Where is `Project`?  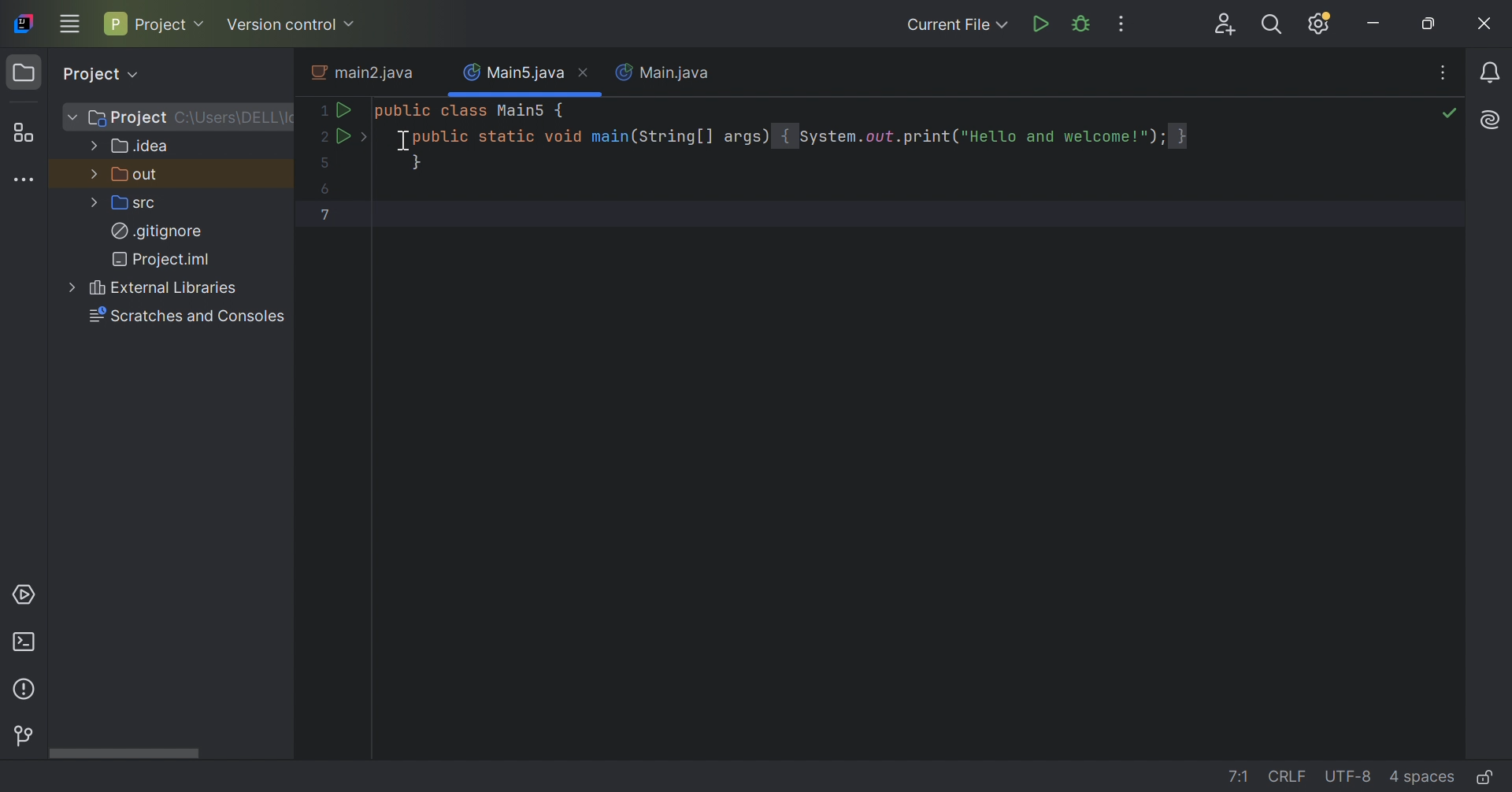 Project is located at coordinates (98, 72).